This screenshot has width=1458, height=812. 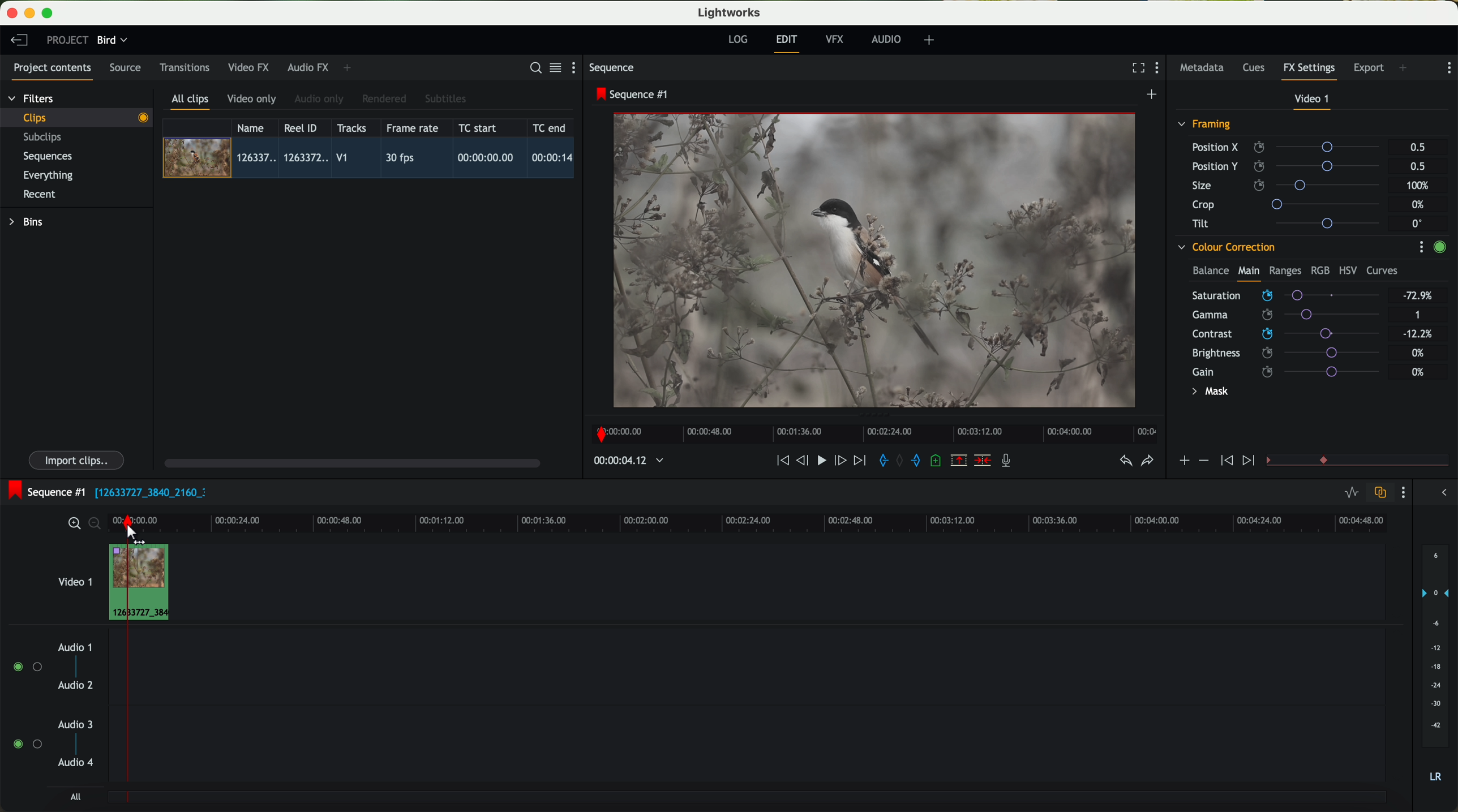 What do you see at coordinates (144, 583) in the screenshot?
I see `drag video to video track 1` at bounding box center [144, 583].